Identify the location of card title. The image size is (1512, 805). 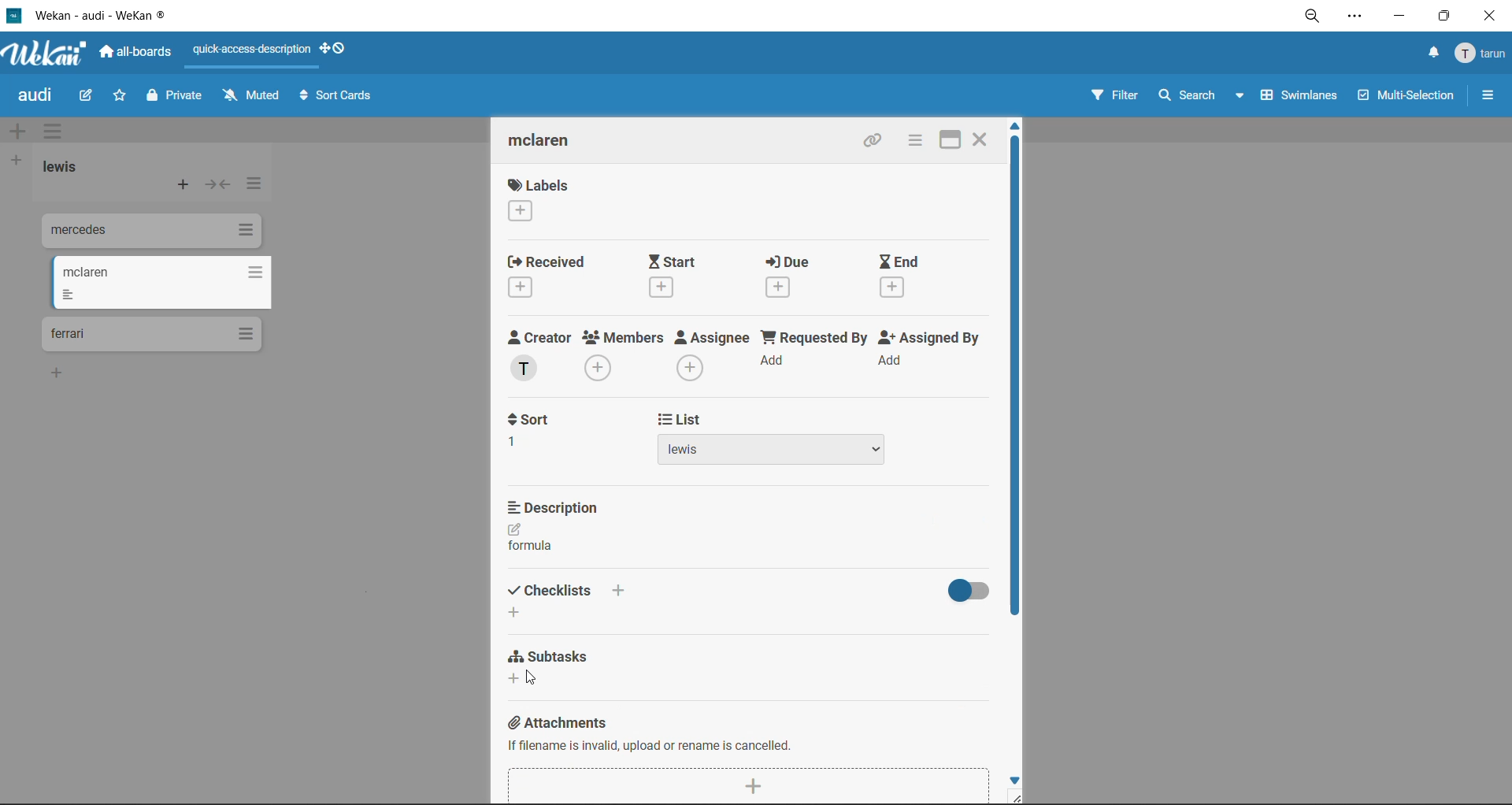
(553, 143).